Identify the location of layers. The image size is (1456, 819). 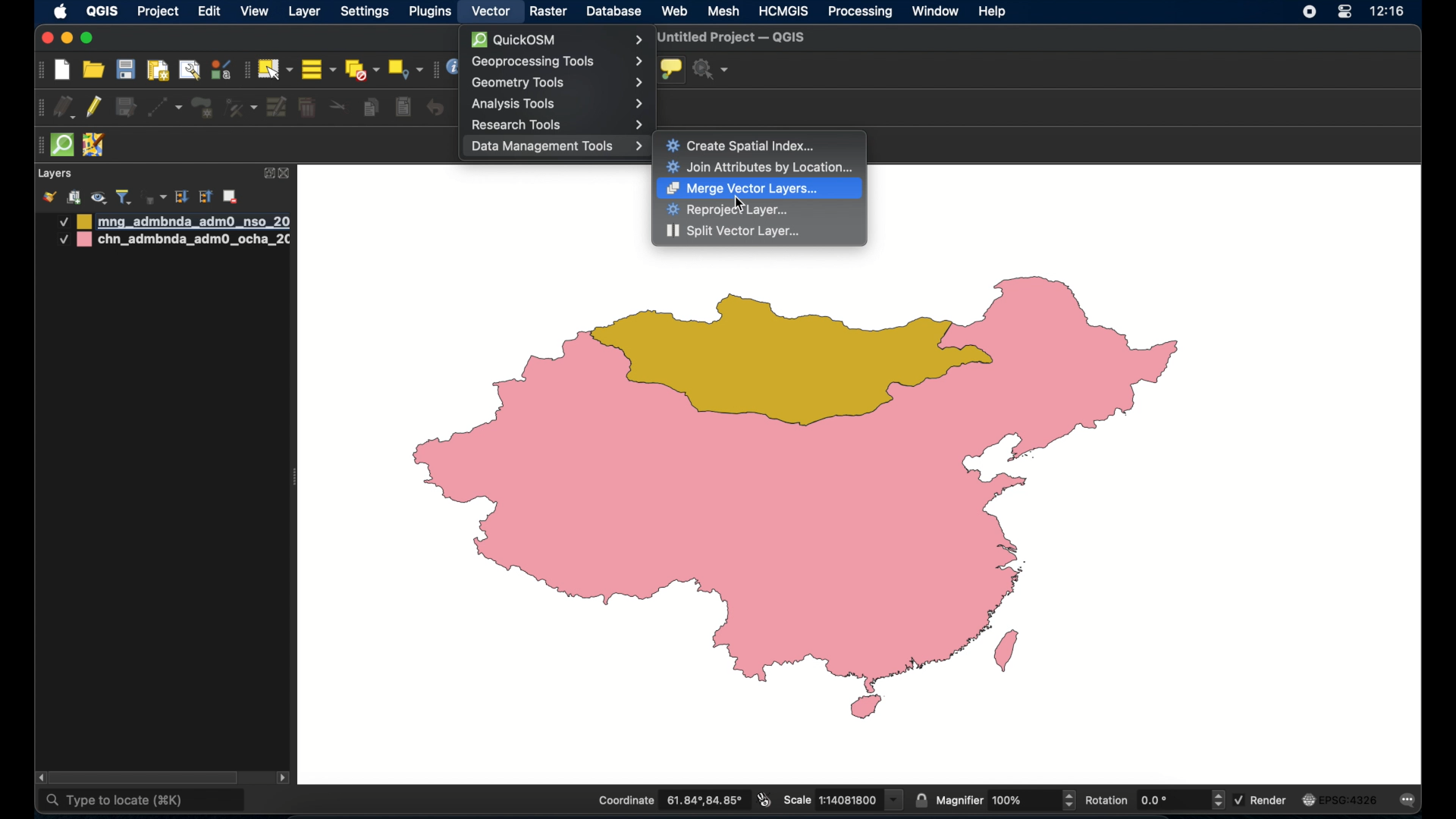
(55, 174).